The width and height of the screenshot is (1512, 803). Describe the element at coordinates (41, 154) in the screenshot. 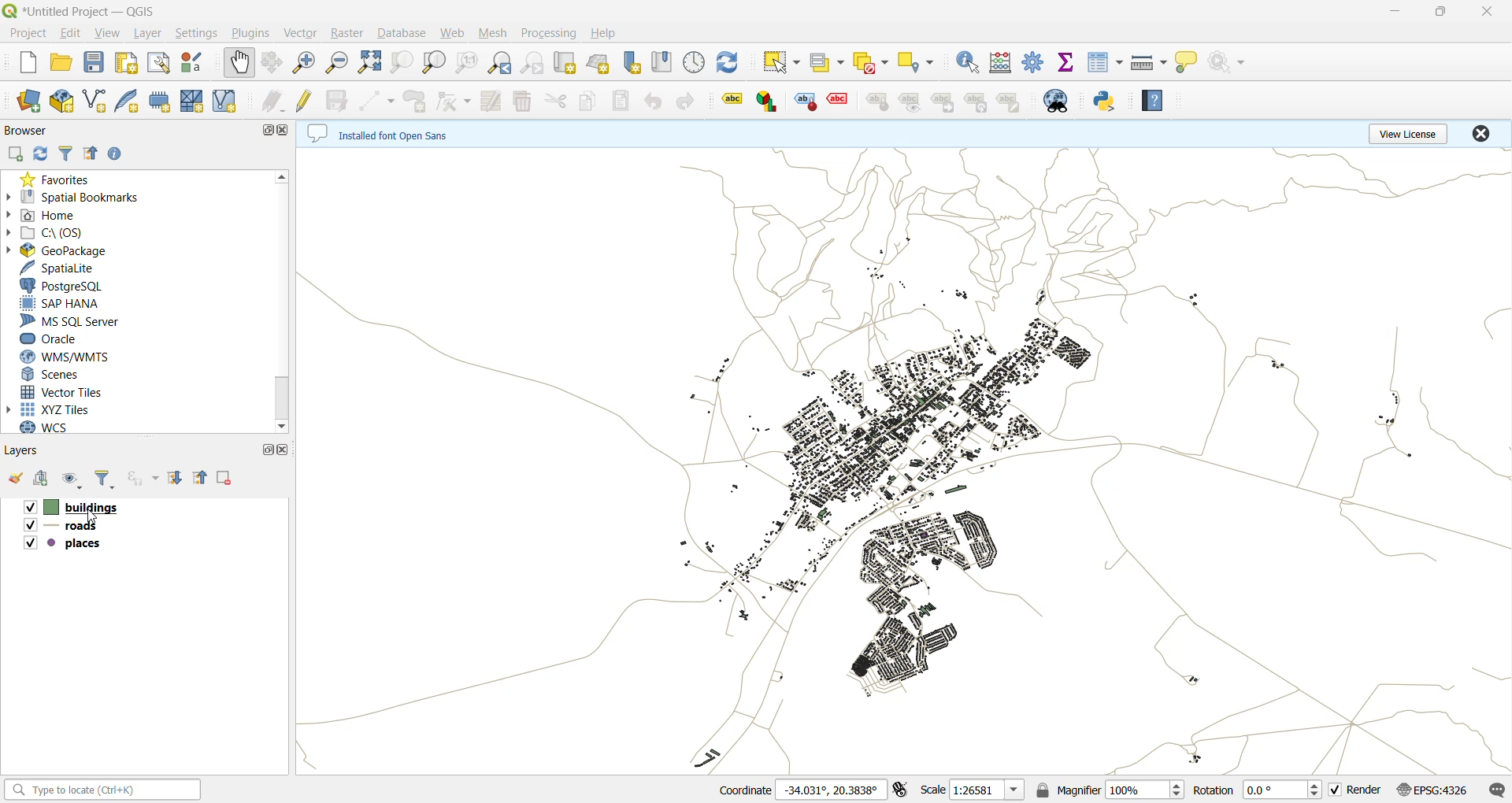

I see `refresh` at that location.